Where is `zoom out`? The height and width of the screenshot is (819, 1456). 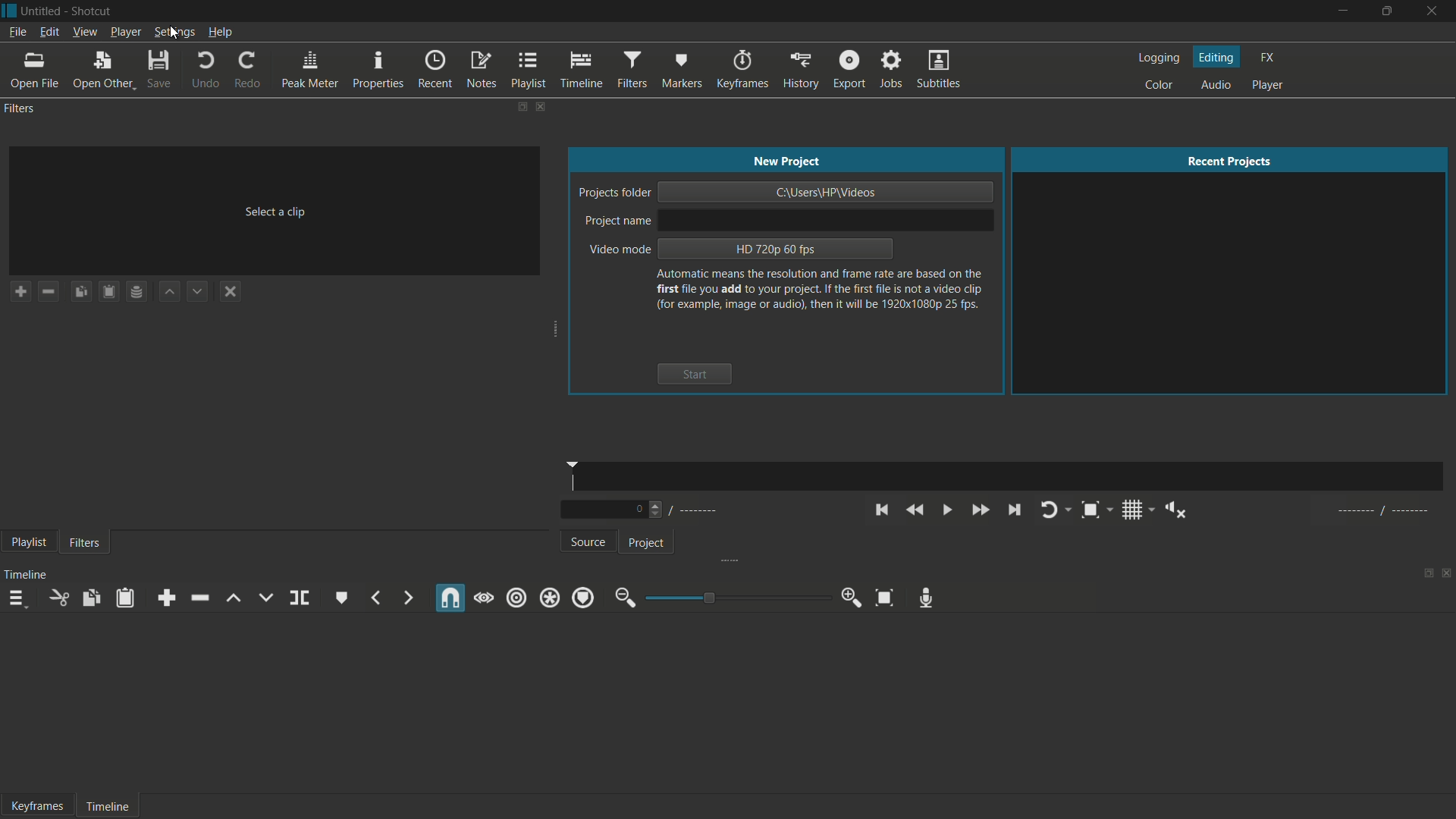
zoom out is located at coordinates (623, 598).